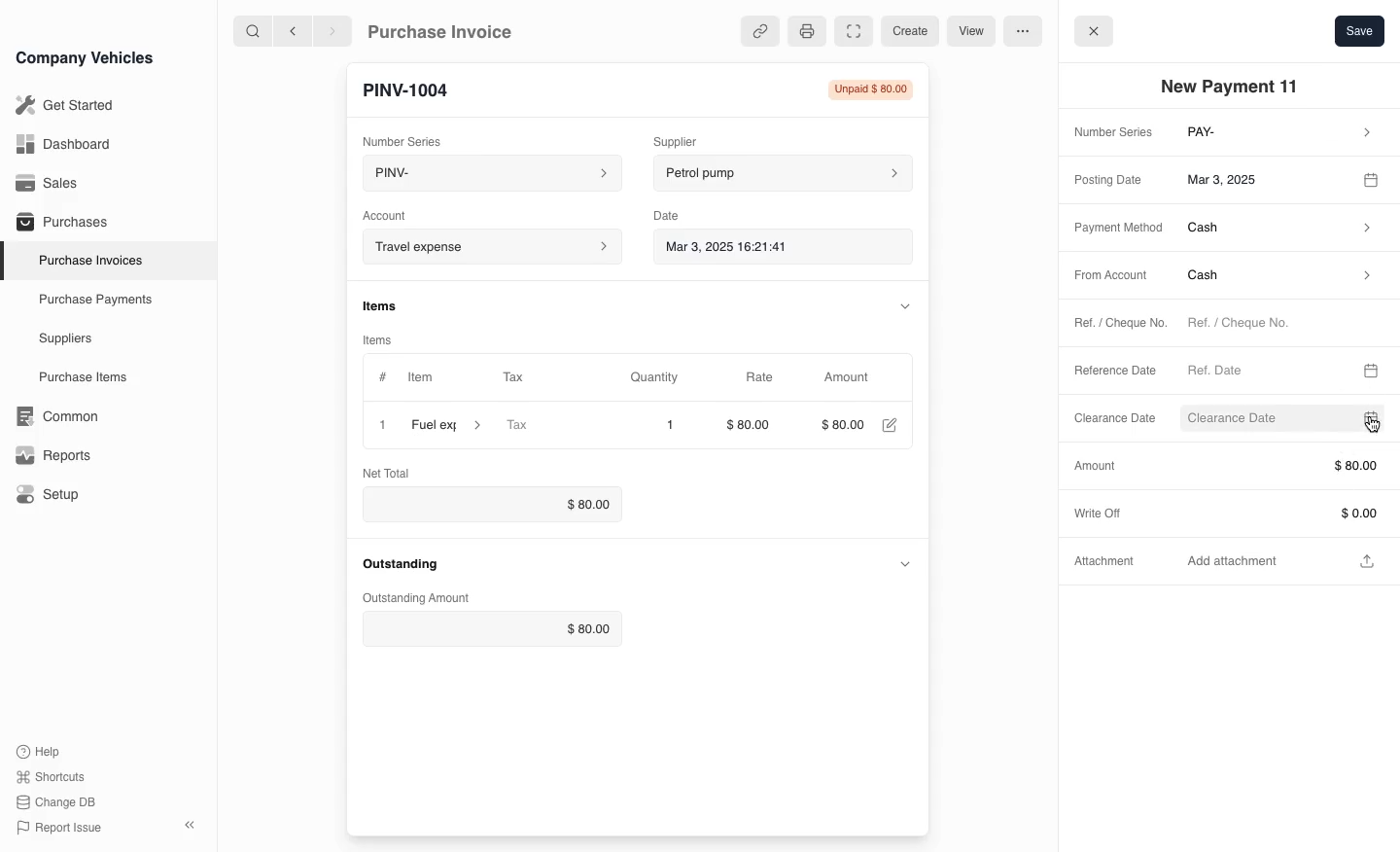 The width and height of the screenshot is (1400, 852). Describe the element at coordinates (968, 32) in the screenshot. I see `view` at that location.